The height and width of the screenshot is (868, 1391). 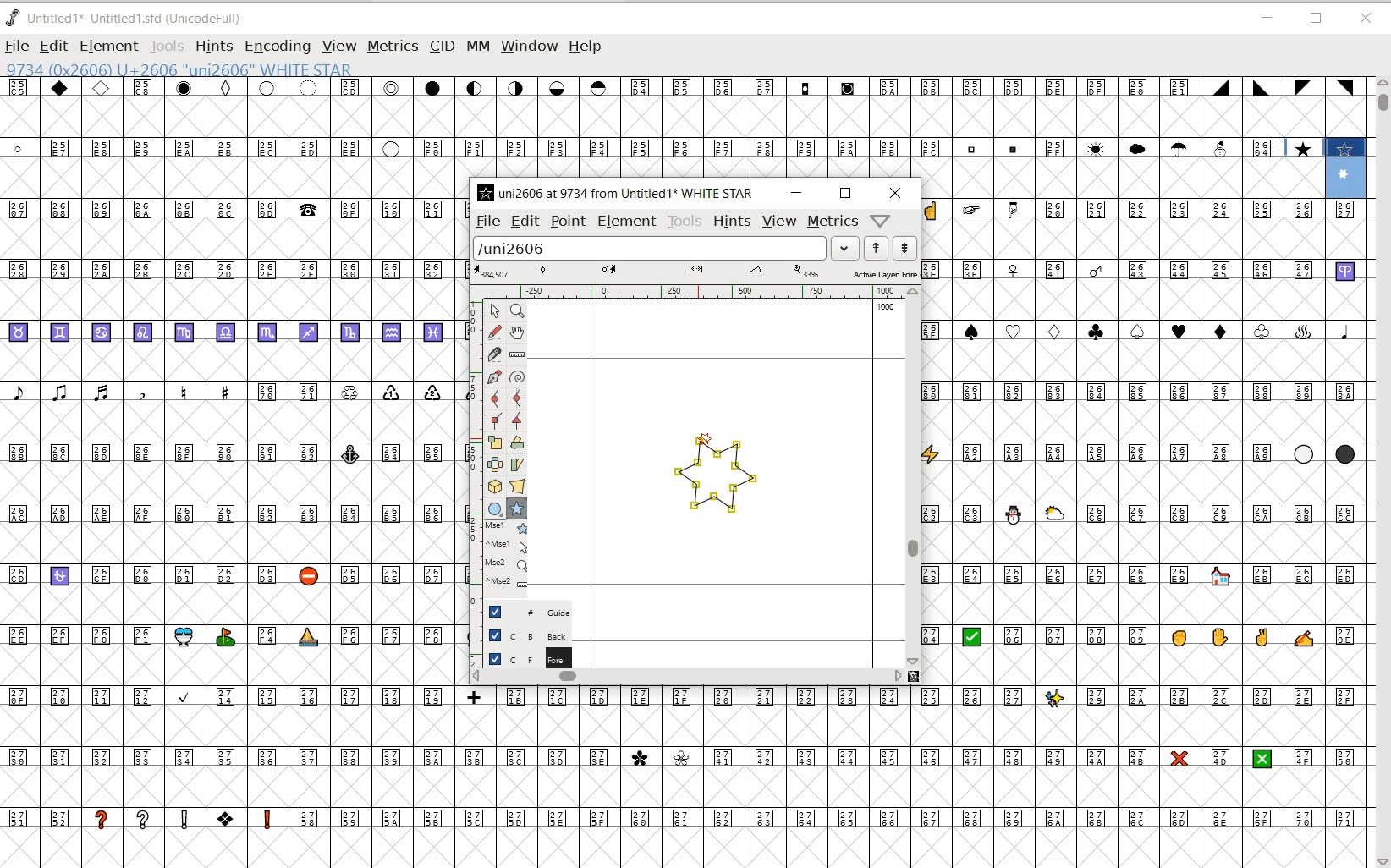 I want to click on HINTS, so click(x=731, y=222).